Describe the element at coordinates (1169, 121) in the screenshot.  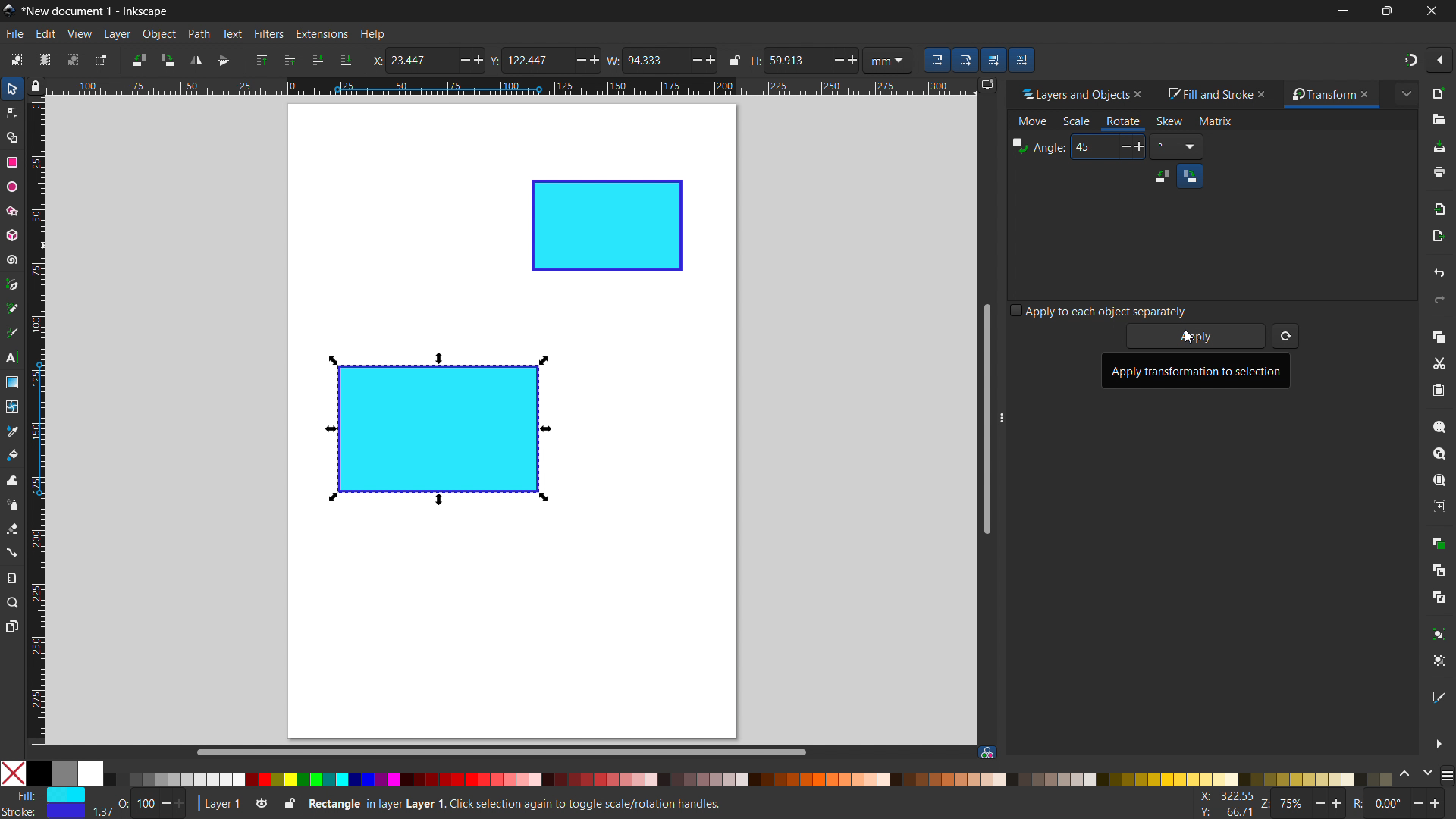
I see `skew` at that location.